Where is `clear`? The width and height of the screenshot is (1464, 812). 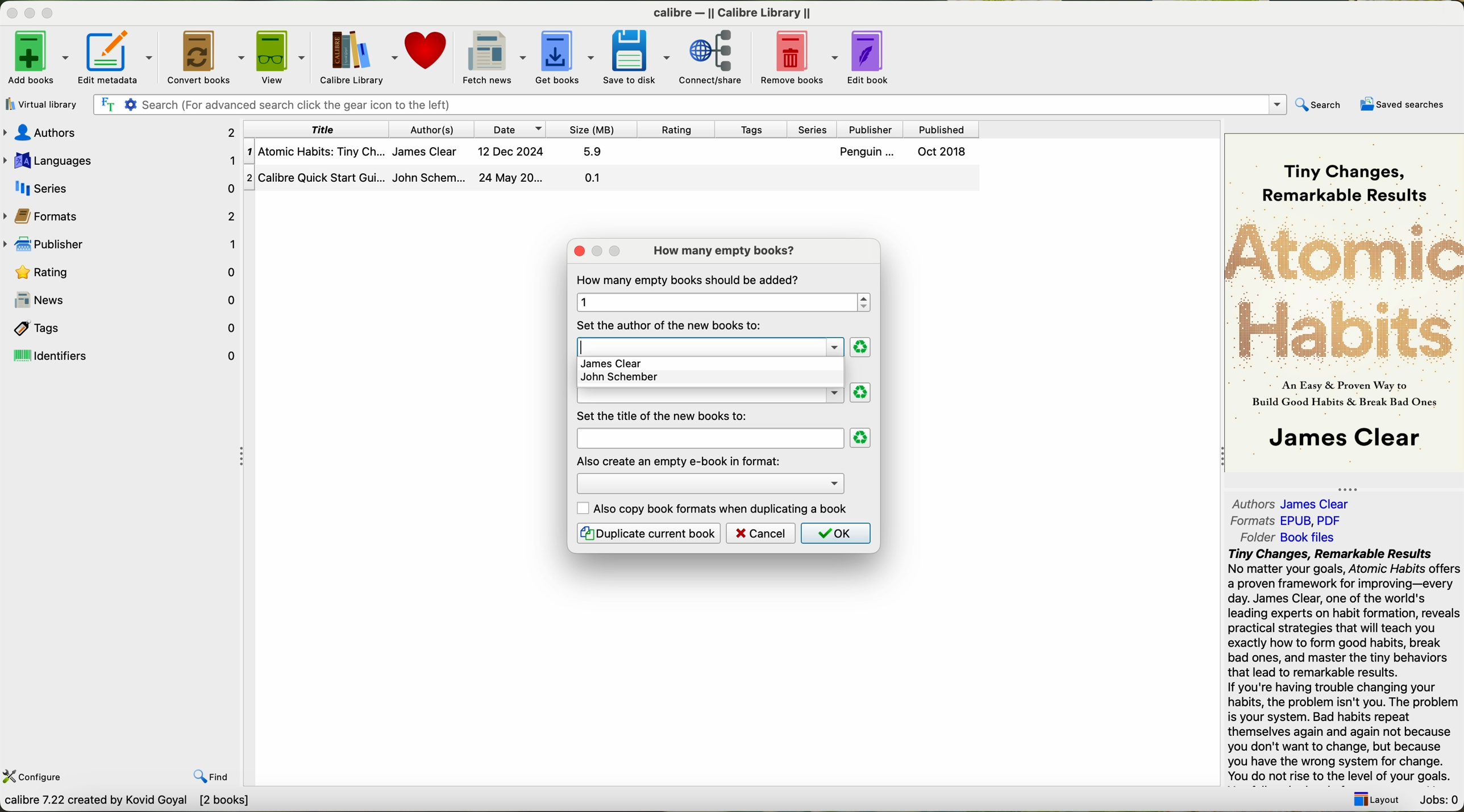
clear is located at coordinates (860, 348).